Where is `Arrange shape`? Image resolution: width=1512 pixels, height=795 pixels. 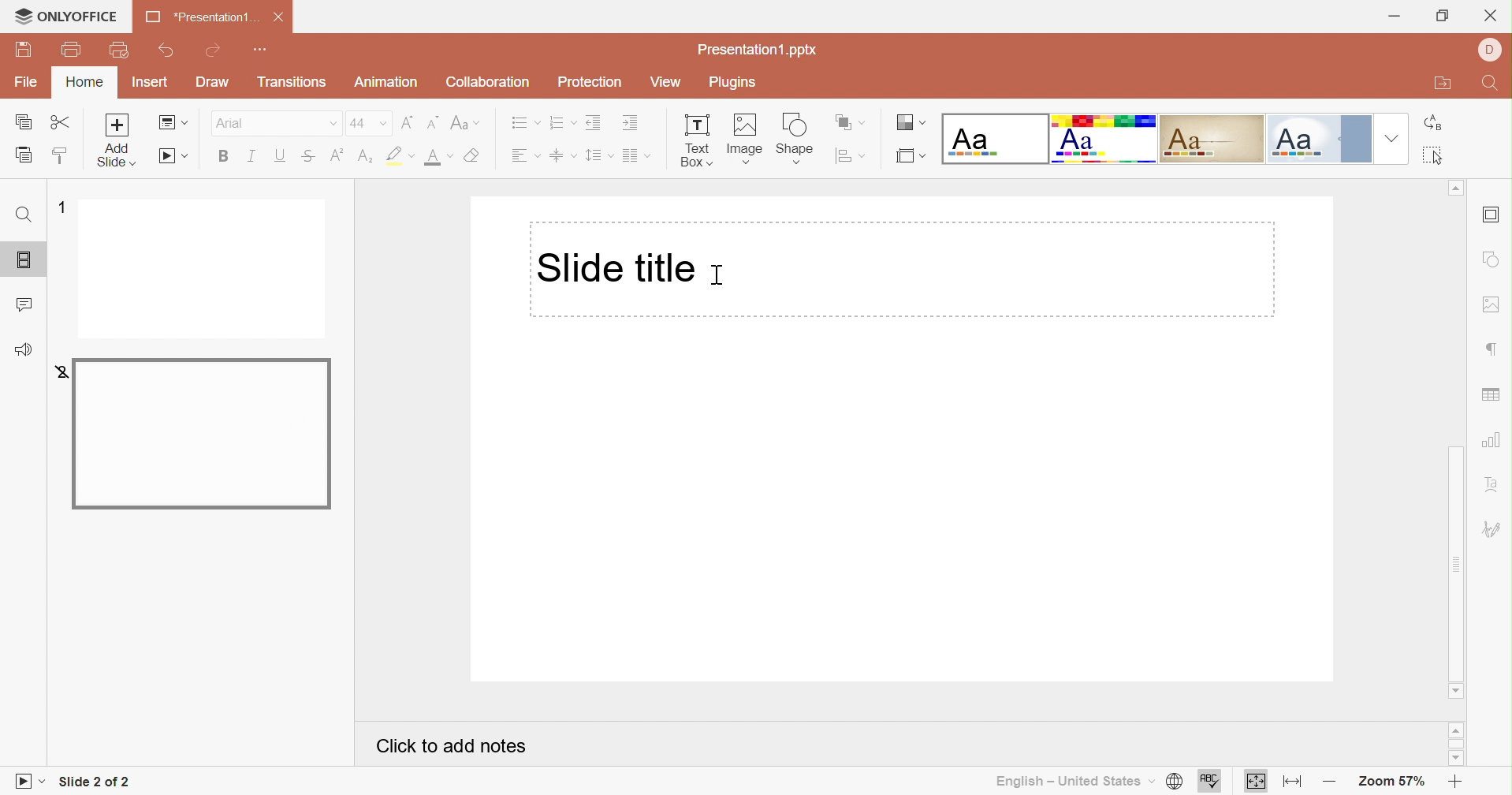 Arrange shape is located at coordinates (851, 121).